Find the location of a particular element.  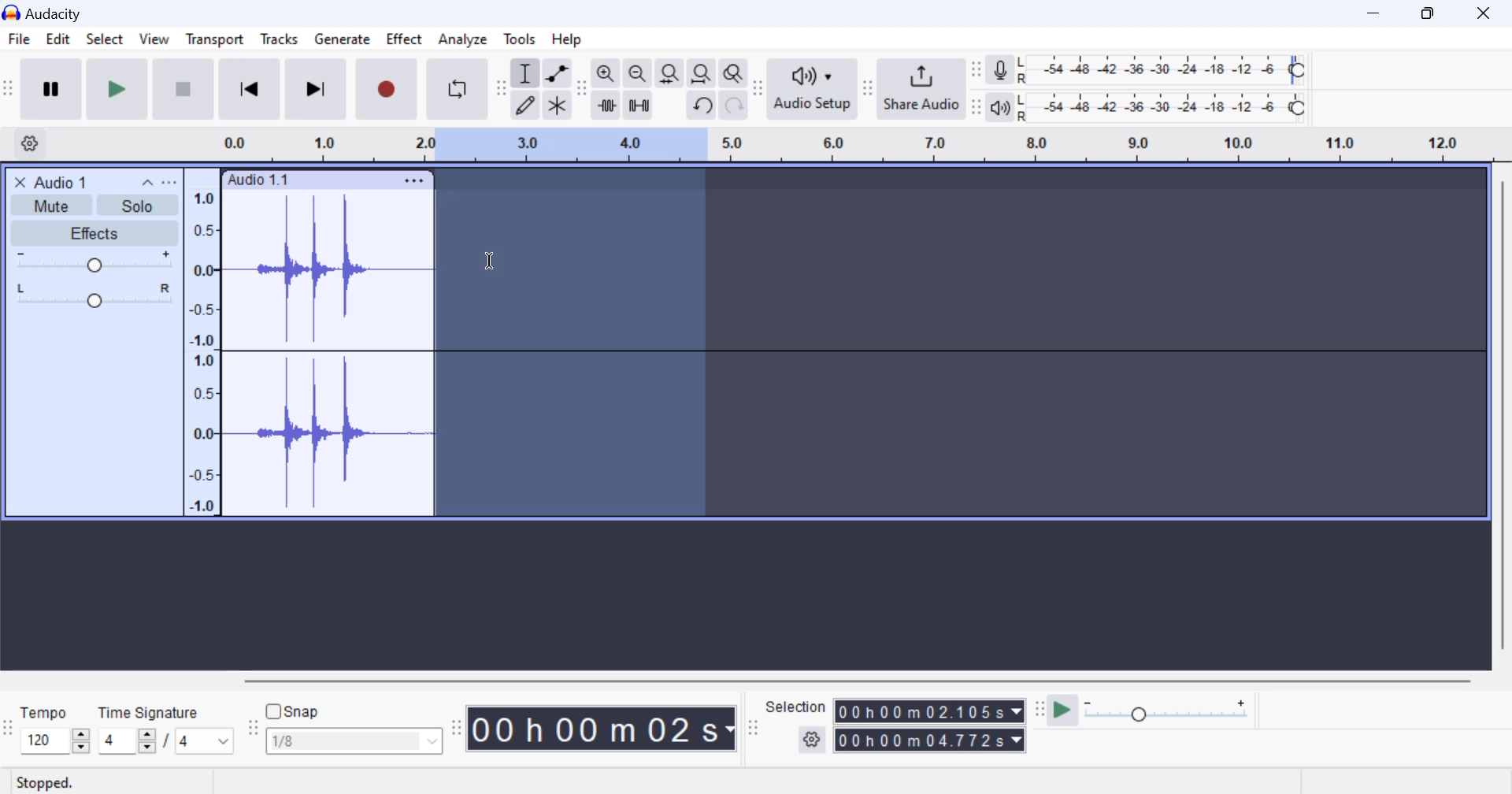

Volume is located at coordinates (91, 262).